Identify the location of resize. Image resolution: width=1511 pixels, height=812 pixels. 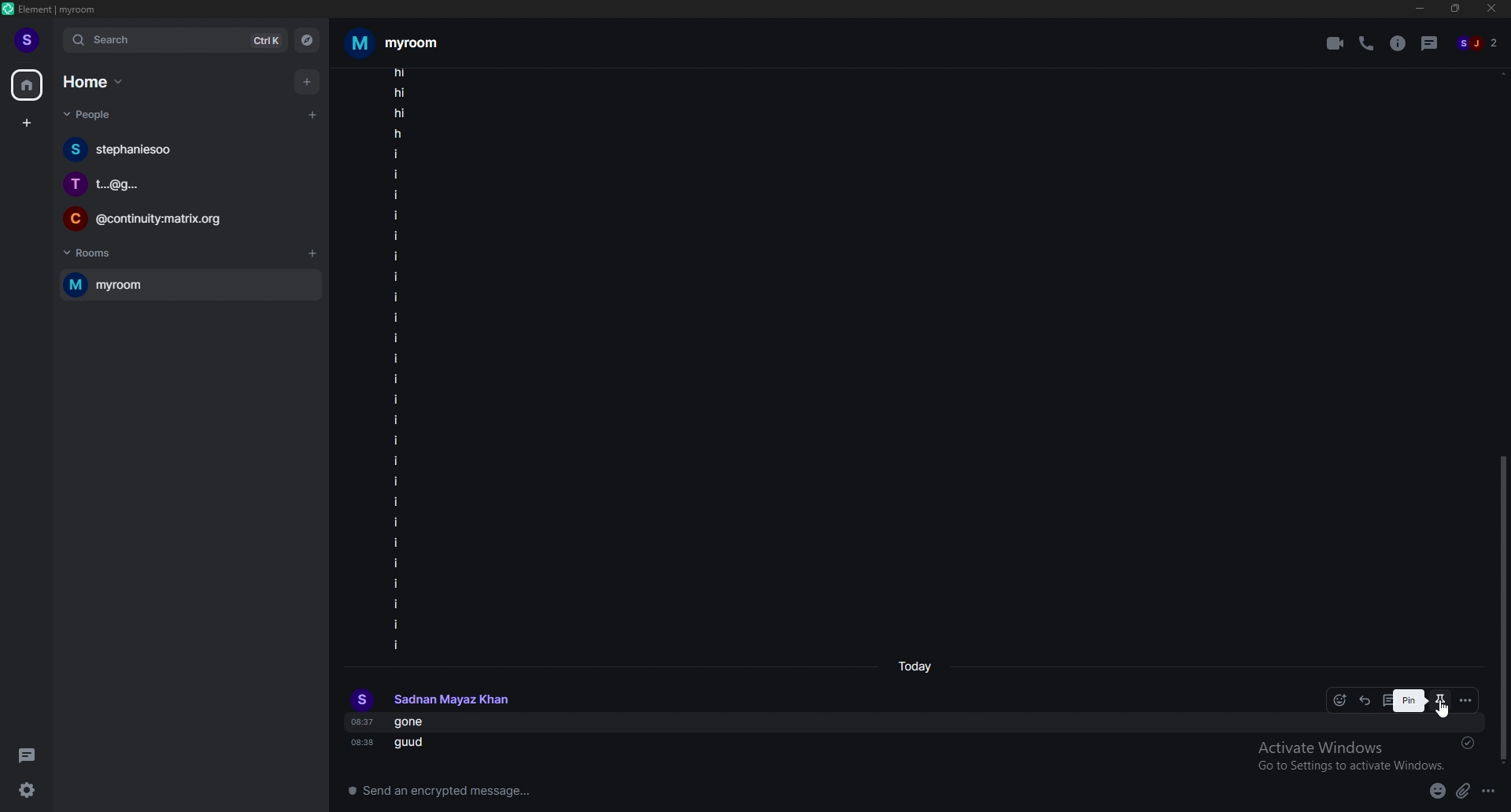
(1457, 9).